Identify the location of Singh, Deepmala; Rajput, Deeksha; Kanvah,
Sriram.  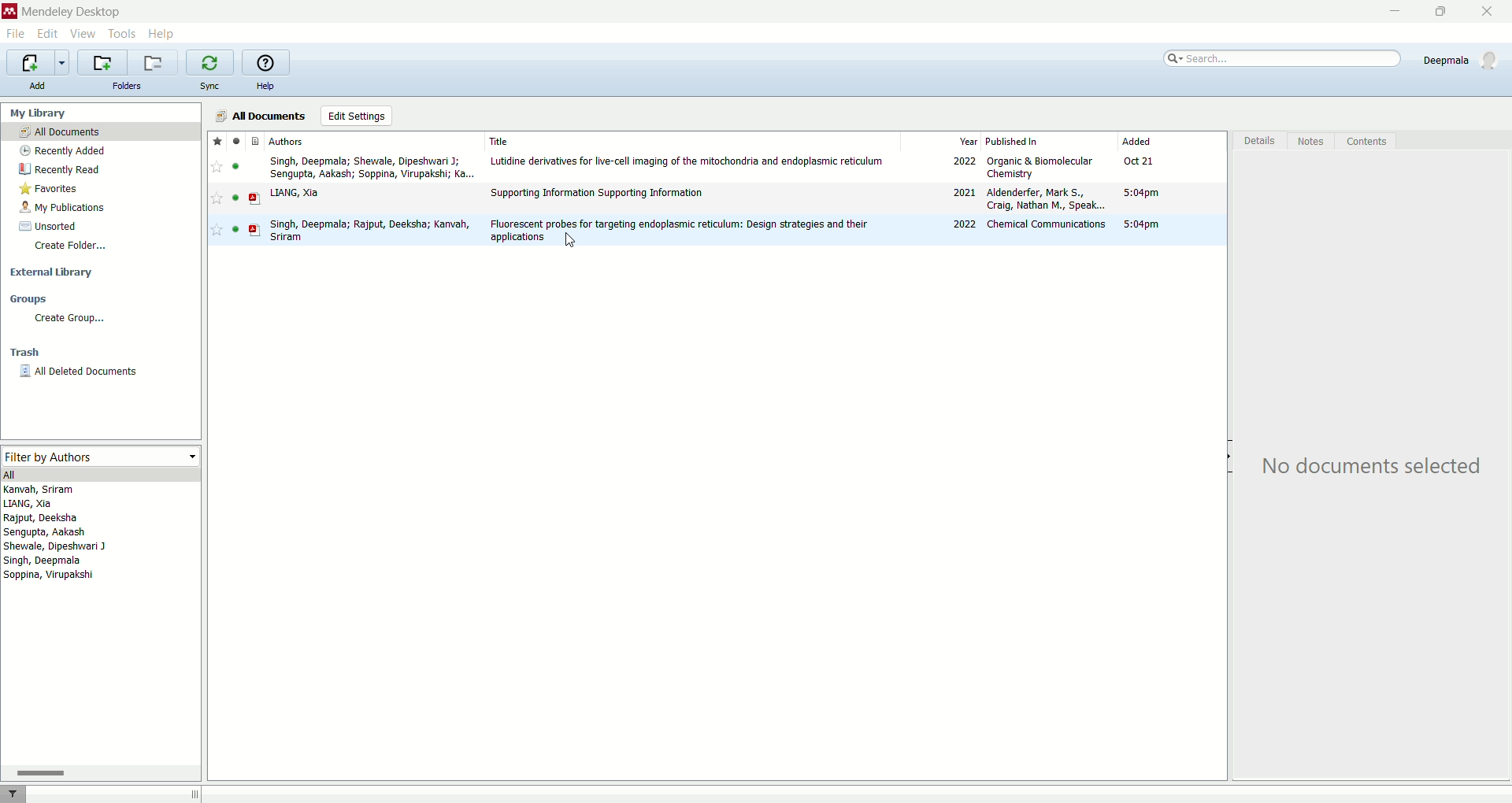
(369, 231).